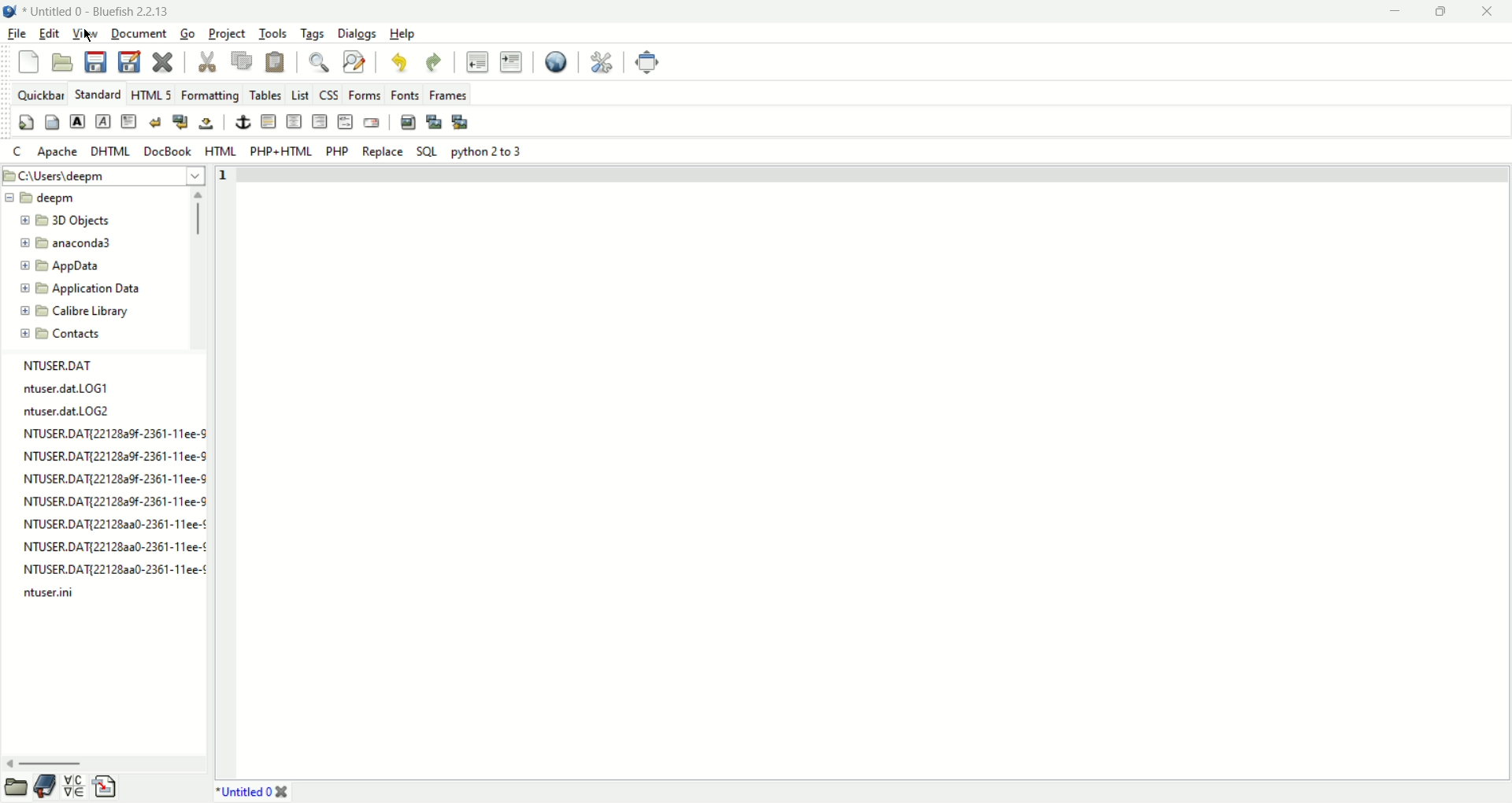  I want to click on ntuser.dat.LOG1, so click(68, 388).